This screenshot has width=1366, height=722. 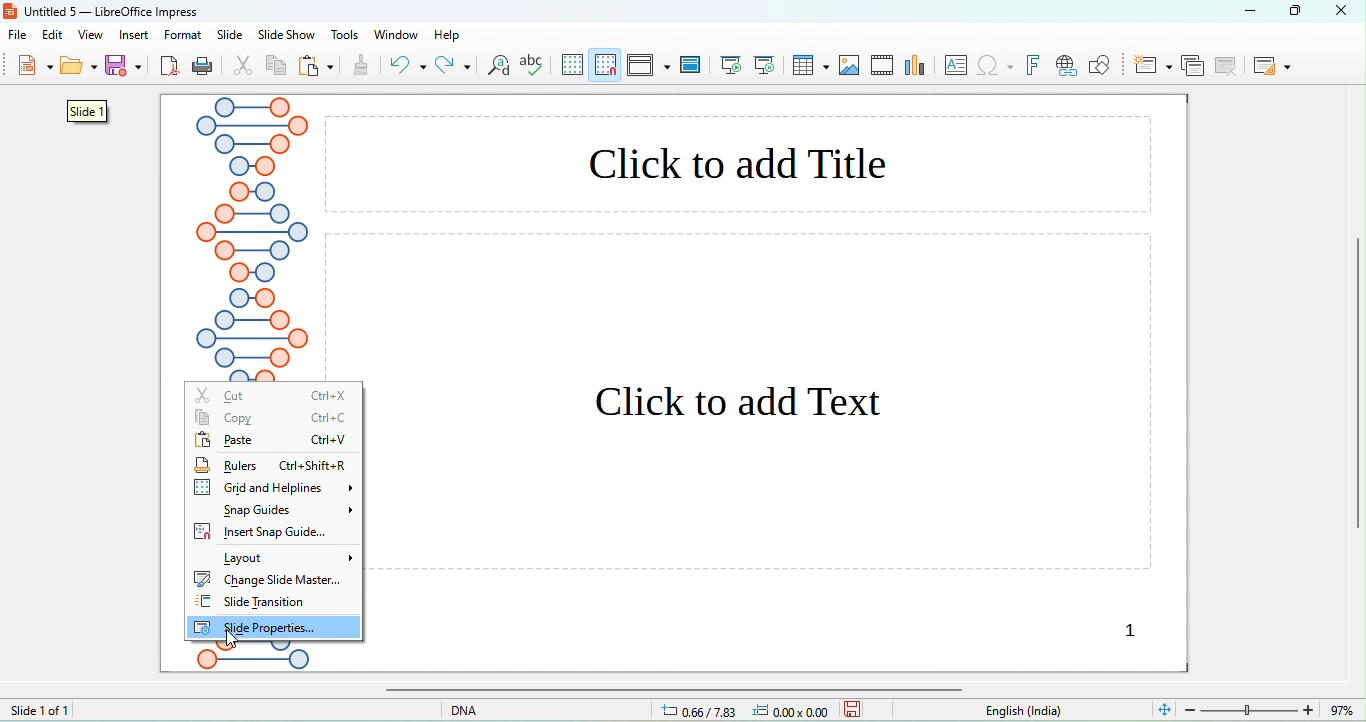 I want to click on display views, so click(x=649, y=64).